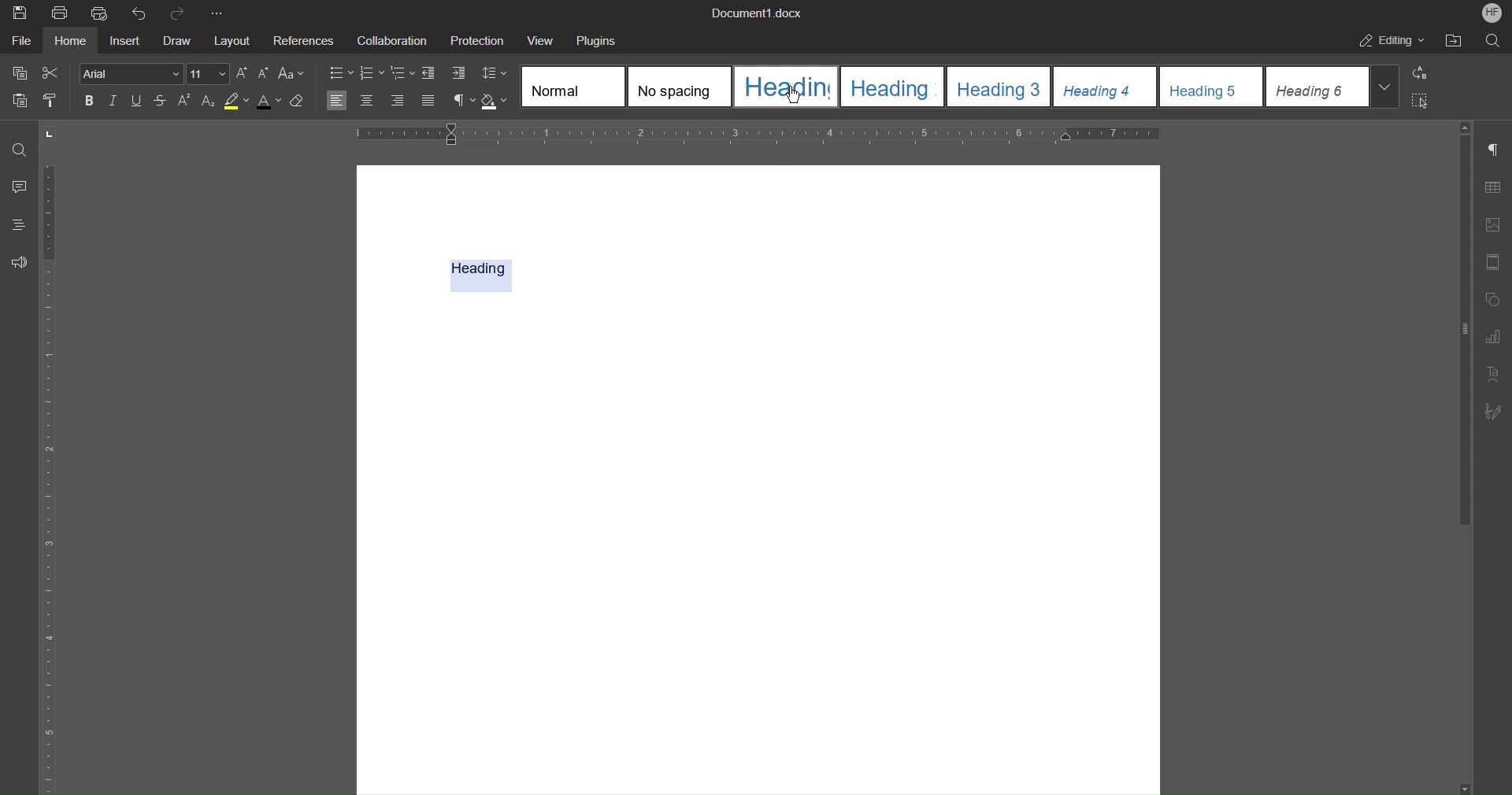 This screenshot has width=1512, height=795. What do you see at coordinates (339, 72) in the screenshot?
I see `Bullet List` at bounding box center [339, 72].